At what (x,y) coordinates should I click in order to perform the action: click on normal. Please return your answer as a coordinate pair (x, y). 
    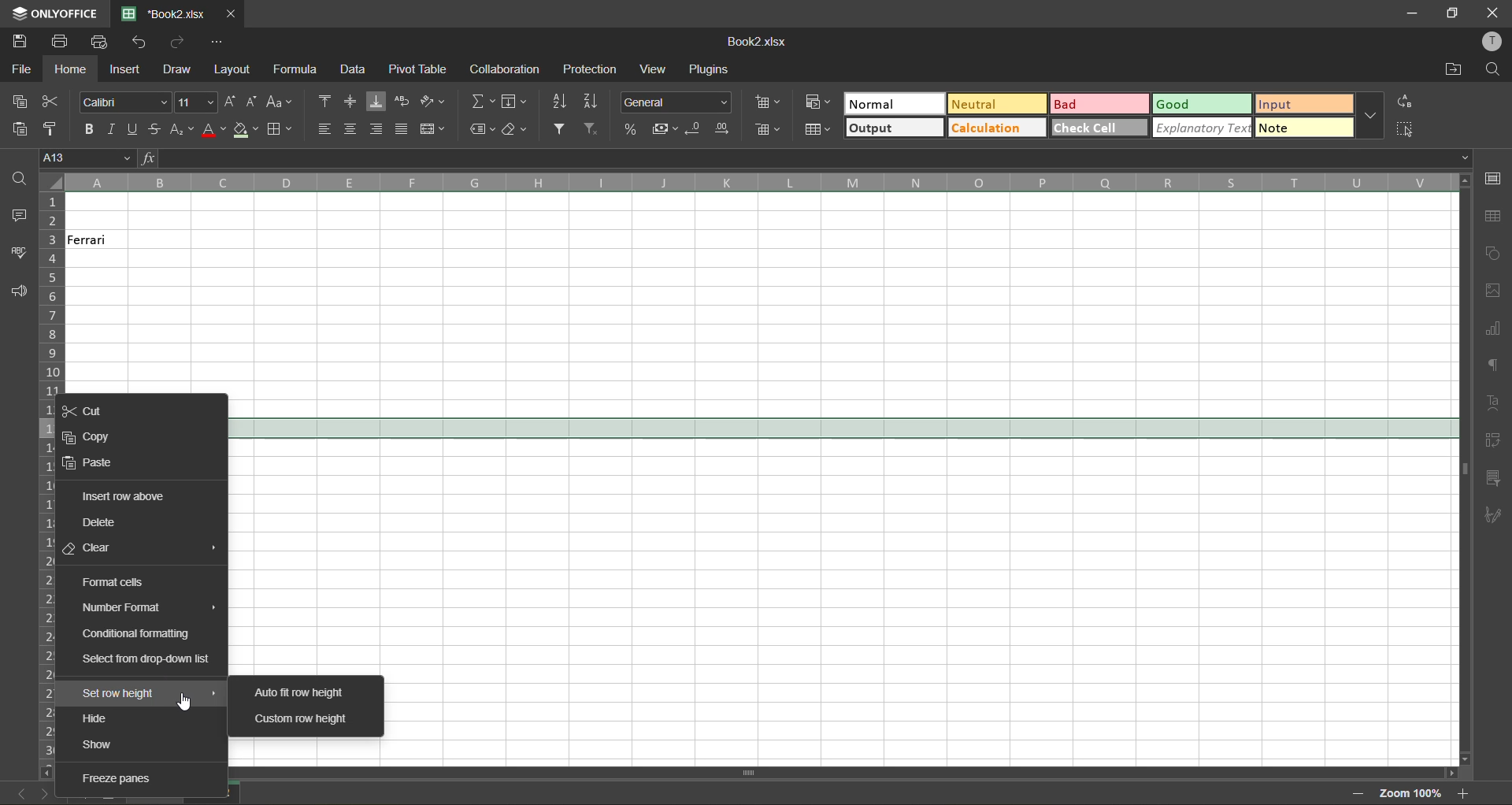
    Looking at the image, I should click on (895, 105).